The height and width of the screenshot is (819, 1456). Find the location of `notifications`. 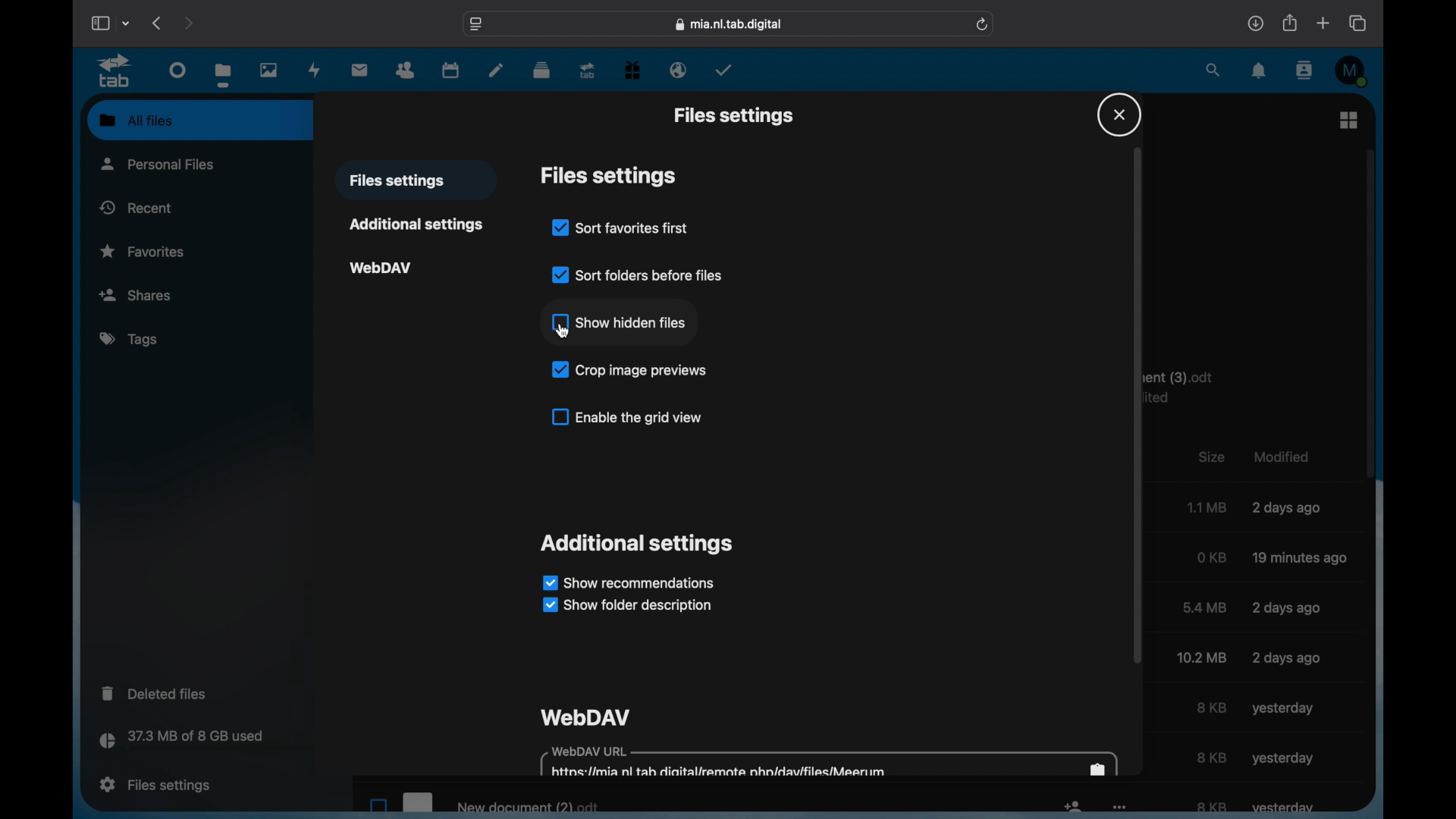

notifications is located at coordinates (1259, 71).